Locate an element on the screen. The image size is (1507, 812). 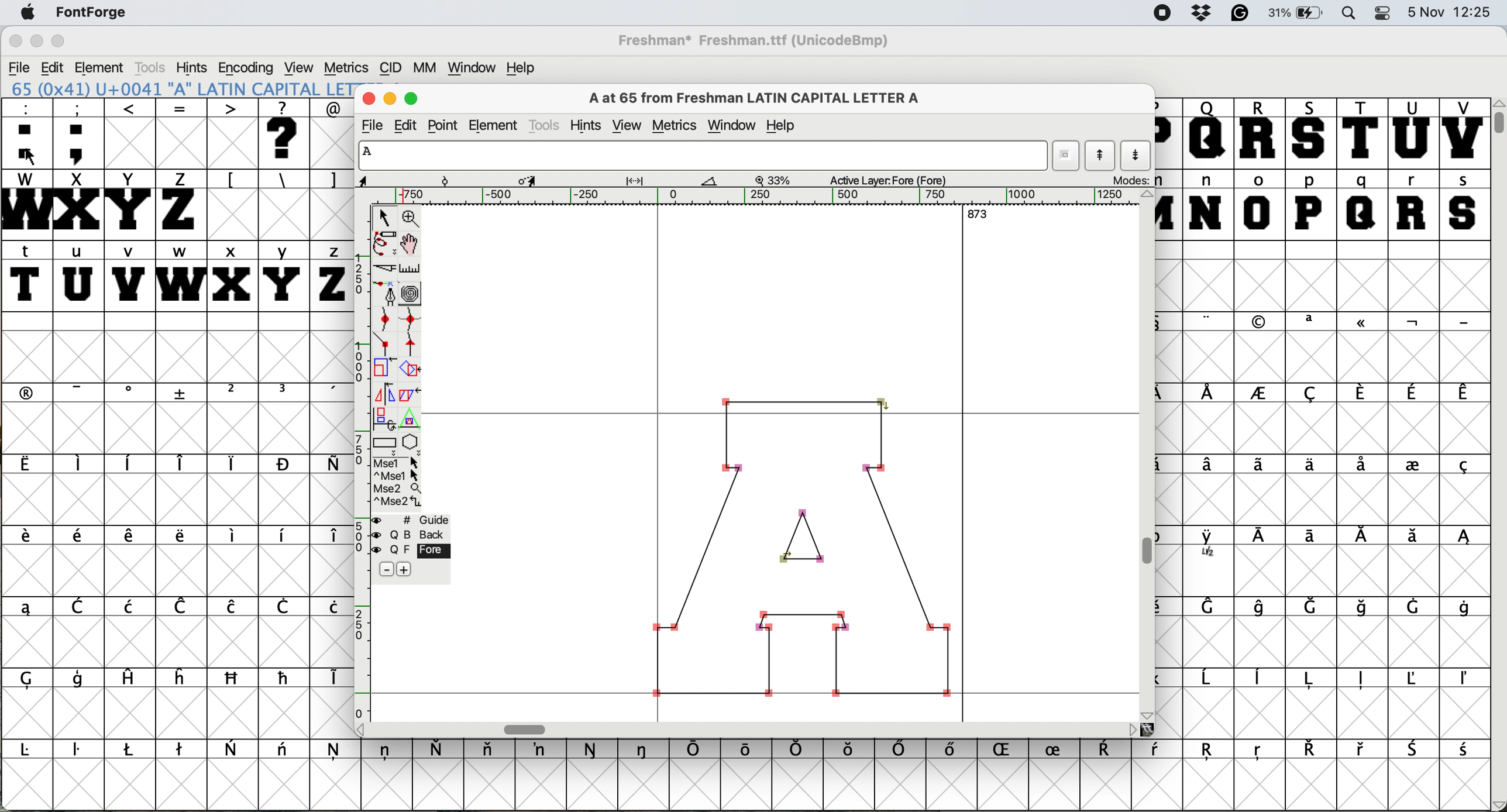
glyph details is located at coordinates (540, 179).